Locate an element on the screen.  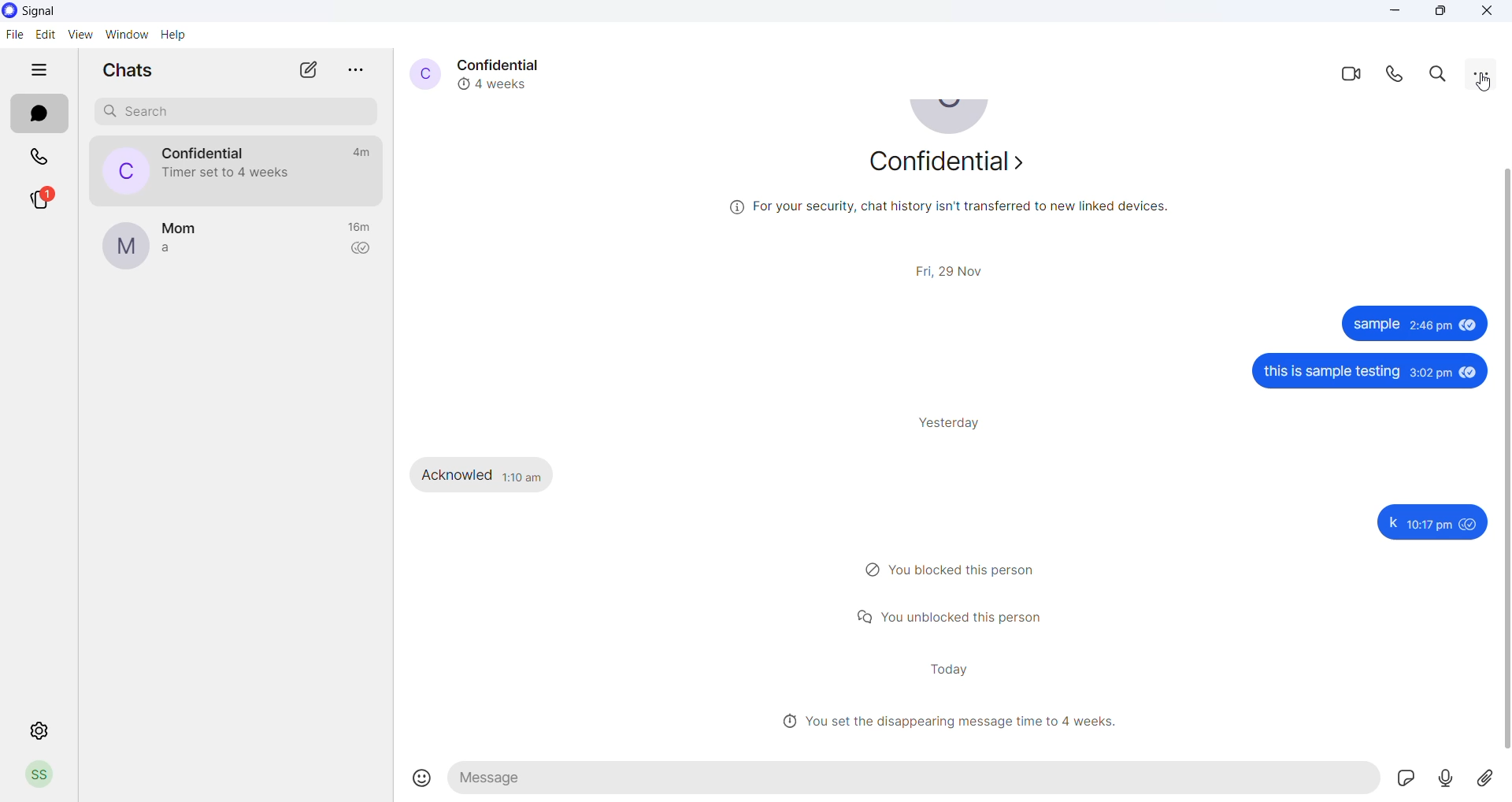
emojis is located at coordinates (422, 777).